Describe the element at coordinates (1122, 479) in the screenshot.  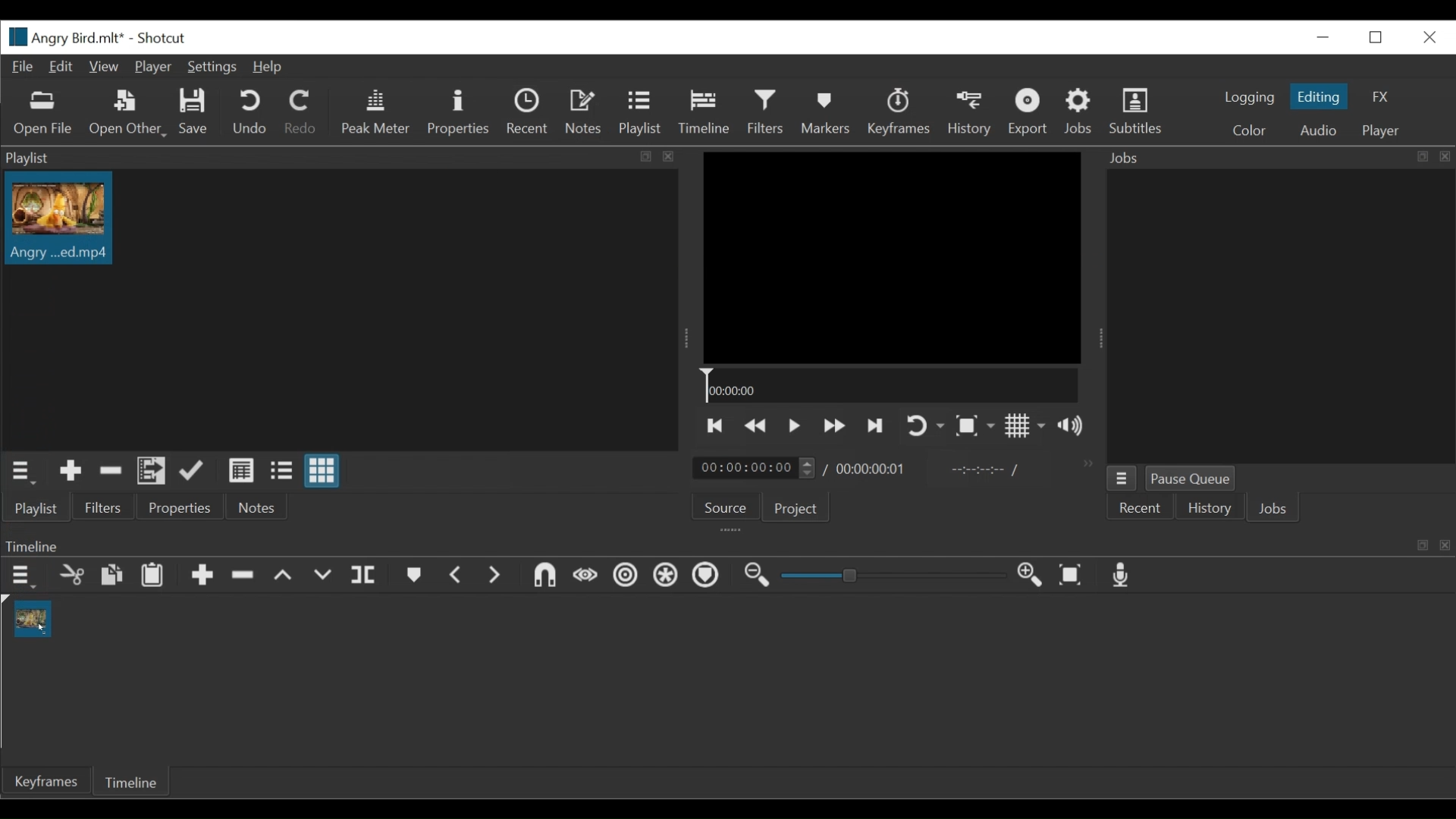
I see `Jobs menu` at that location.